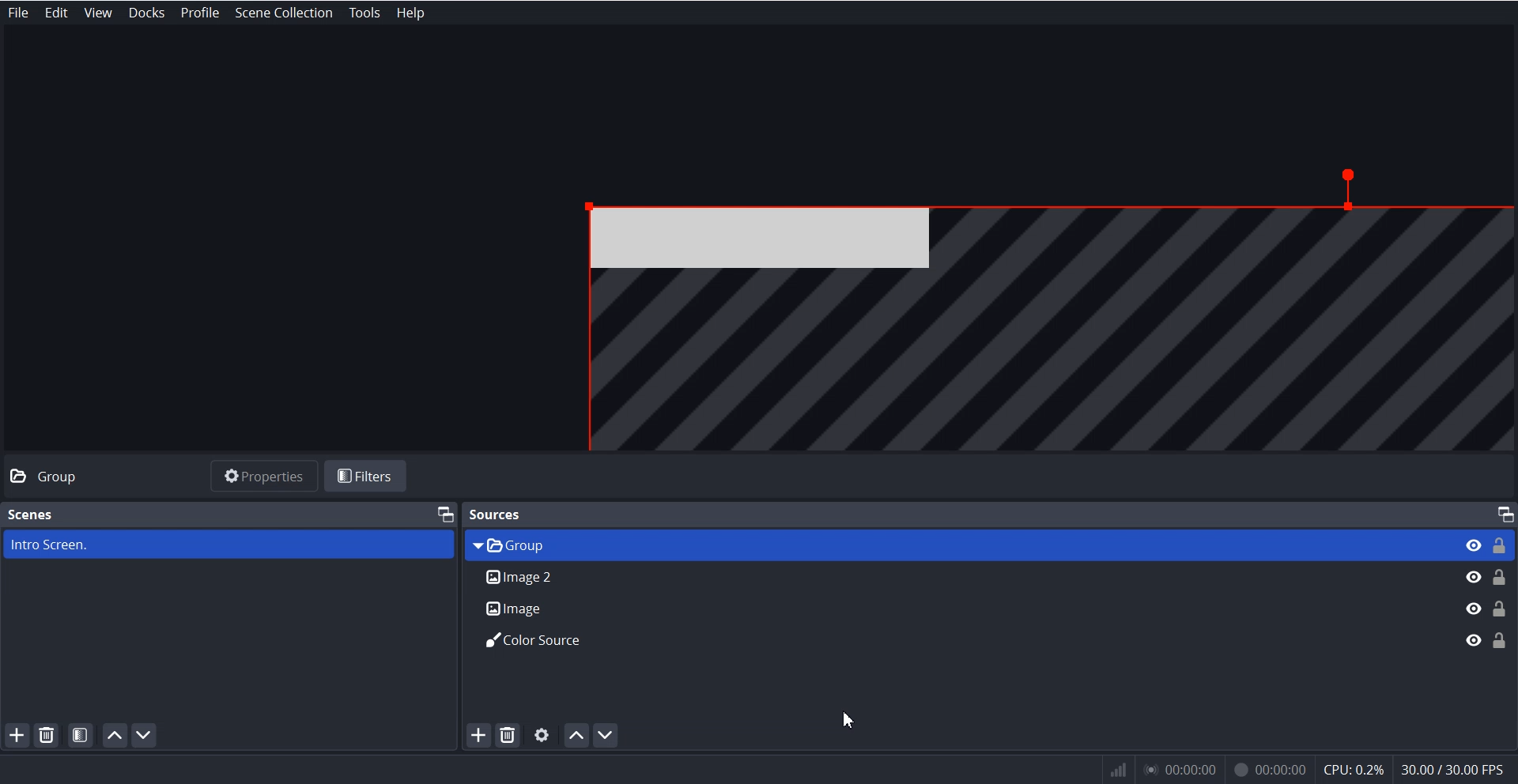 This screenshot has height=784, width=1518. What do you see at coordinates (1499, 593) in the screenshot?
I see `Lock` at bounding box center [1499, 593].